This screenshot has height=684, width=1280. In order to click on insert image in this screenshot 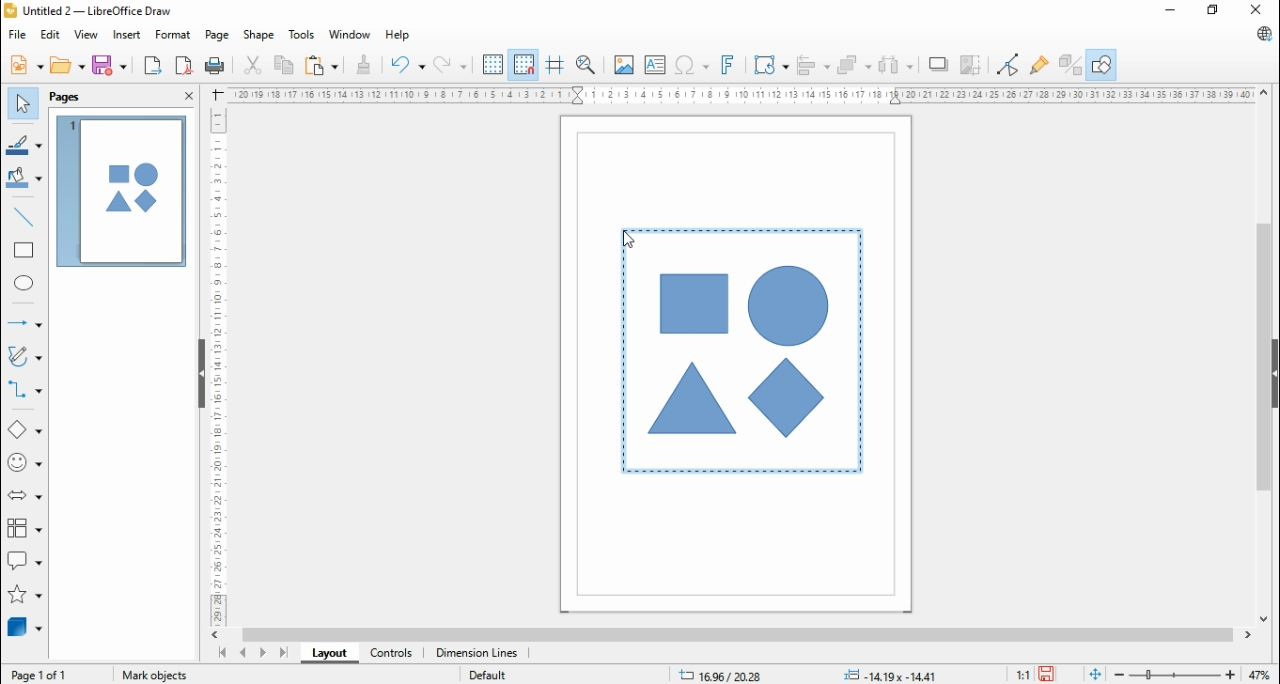, I will do `click(624, 66)`.